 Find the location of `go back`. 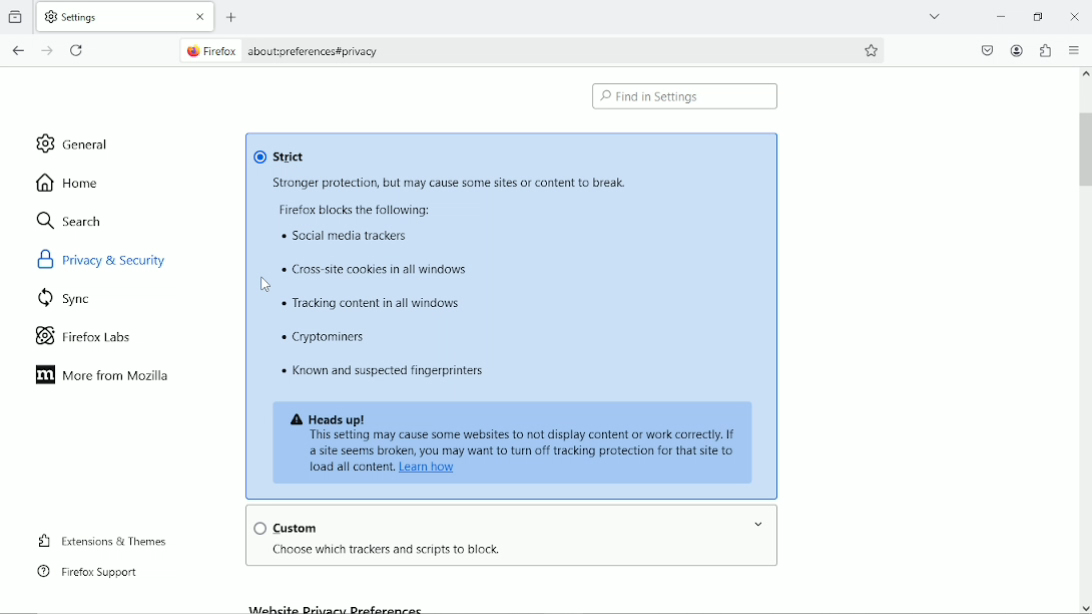

go back is located at coordinates (19, 50).